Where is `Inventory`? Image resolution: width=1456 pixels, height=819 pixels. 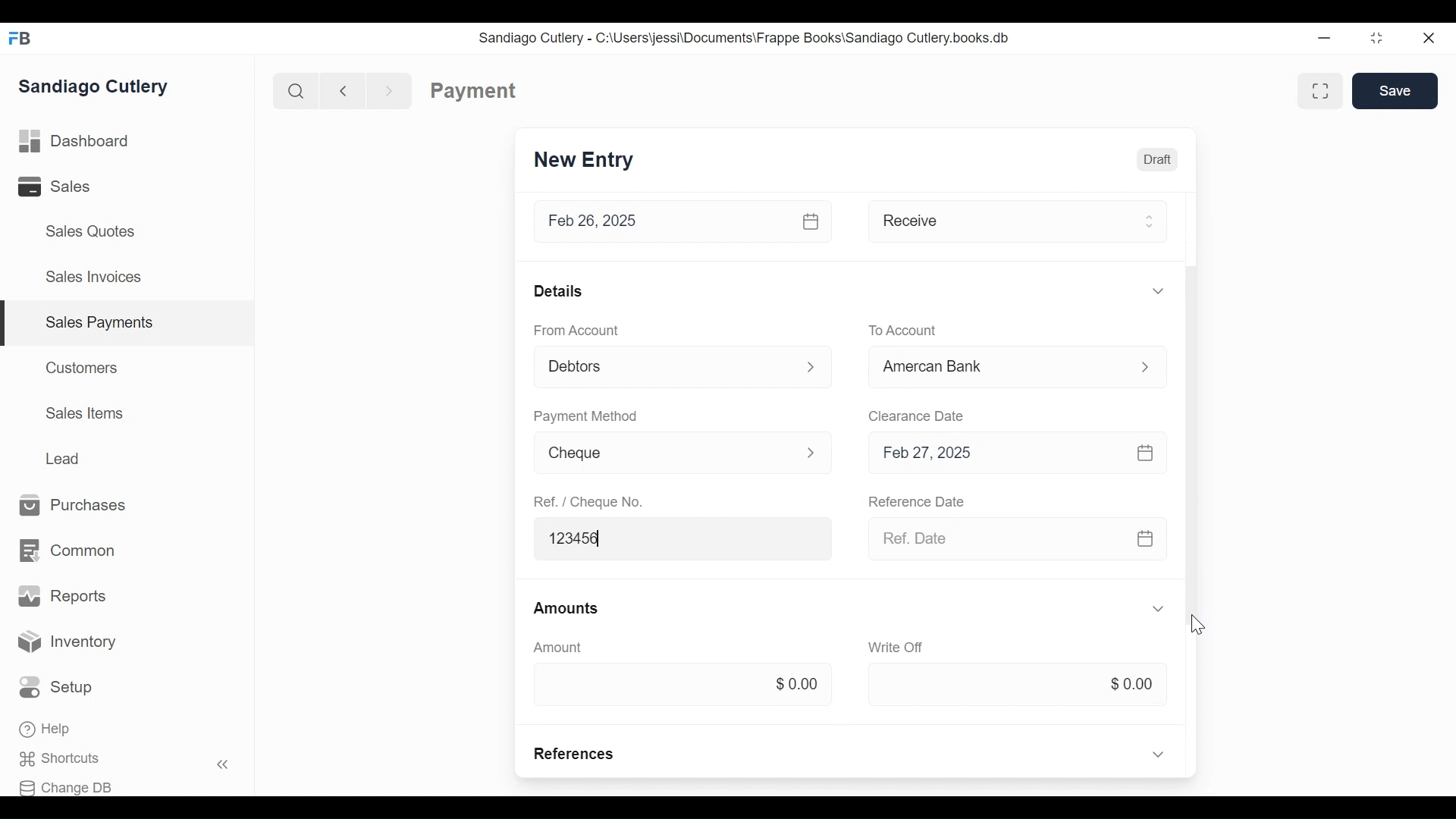 Inventory is located at coordinates (68, 642).